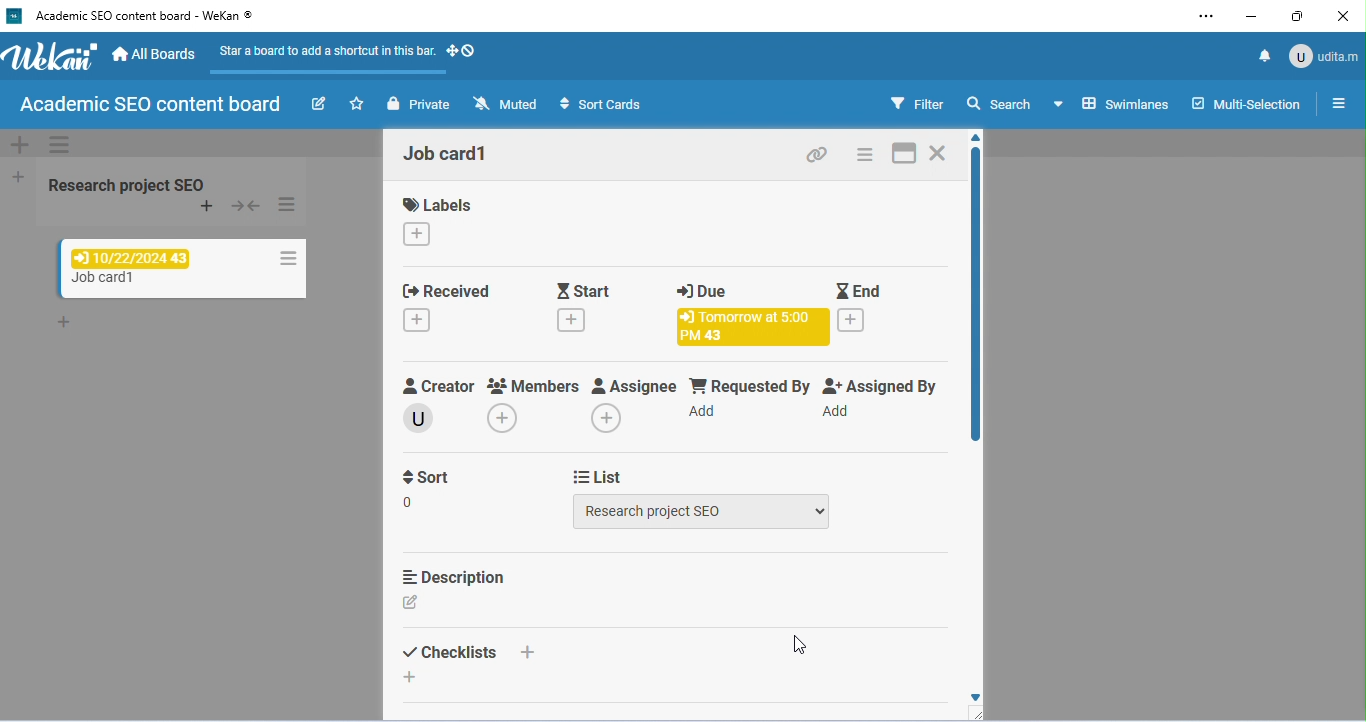  Describe the element at coordinates (452, 290) in the screenshot. I see `received` at that location.